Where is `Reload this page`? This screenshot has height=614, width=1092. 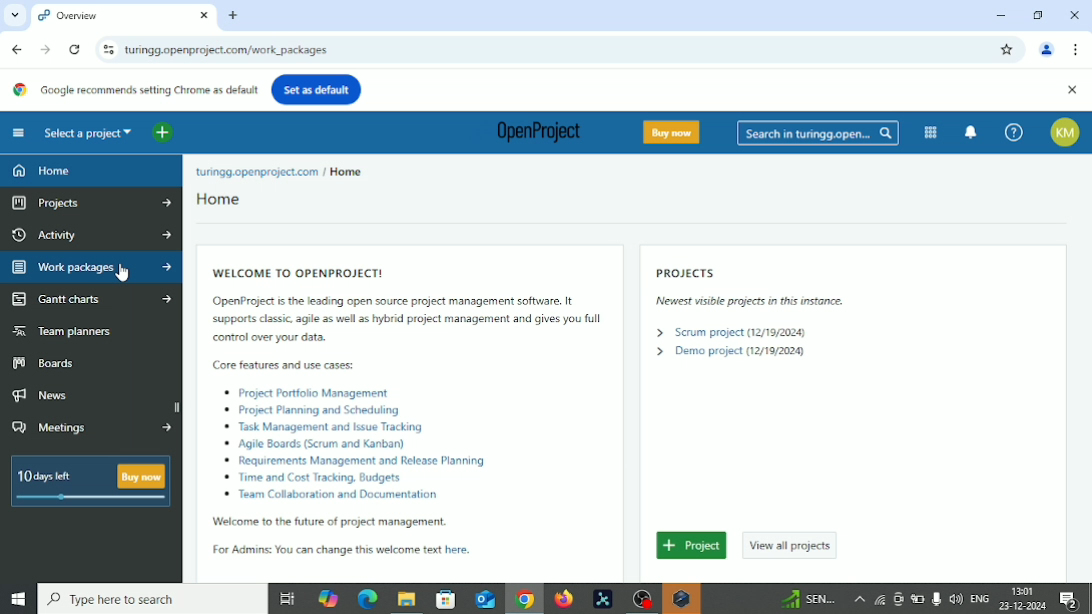 Reload this page is located at coordinates (75, 50).